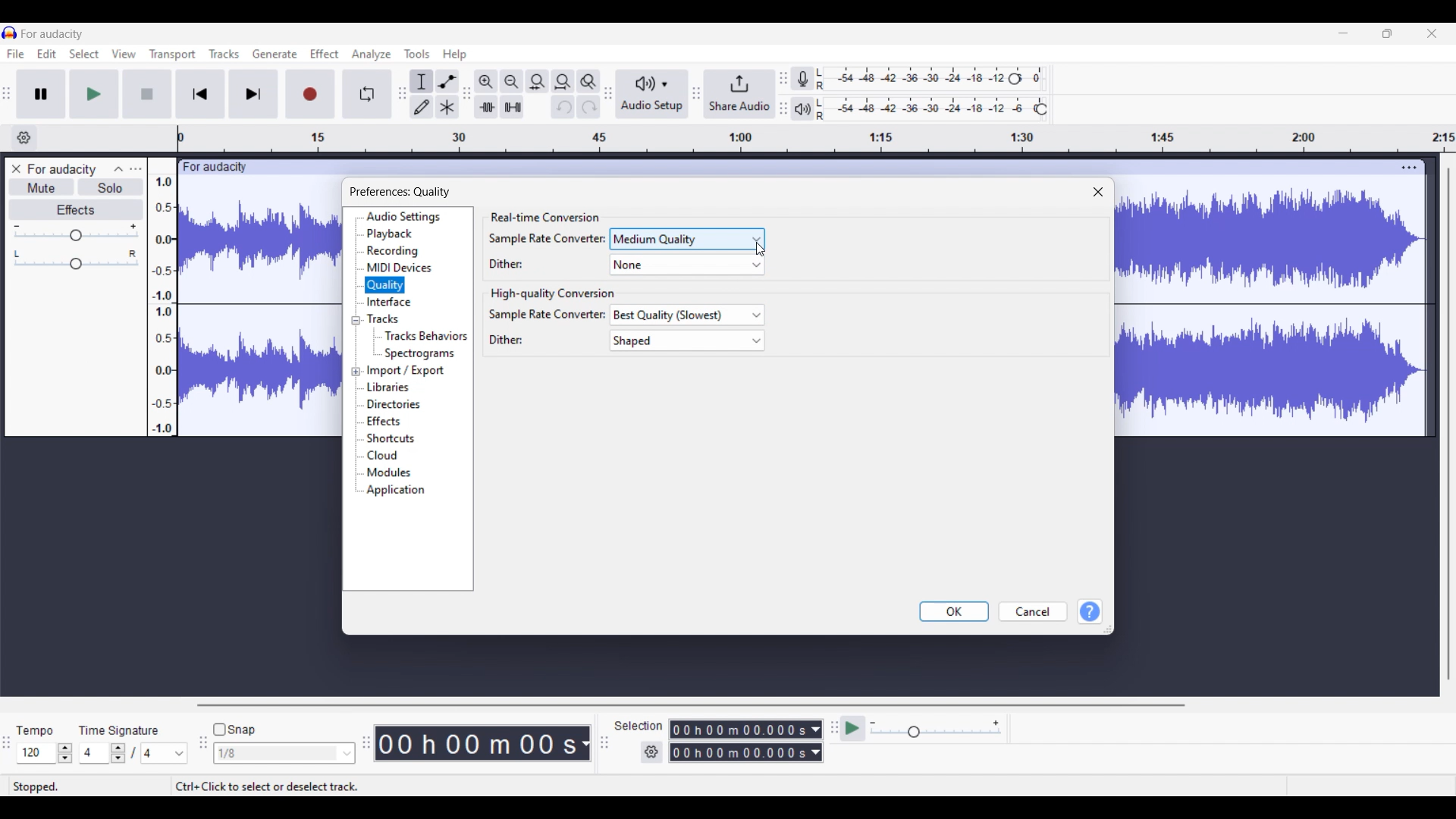 The image size is (1456, 819). I want to click on Undo, so click(563, 107).